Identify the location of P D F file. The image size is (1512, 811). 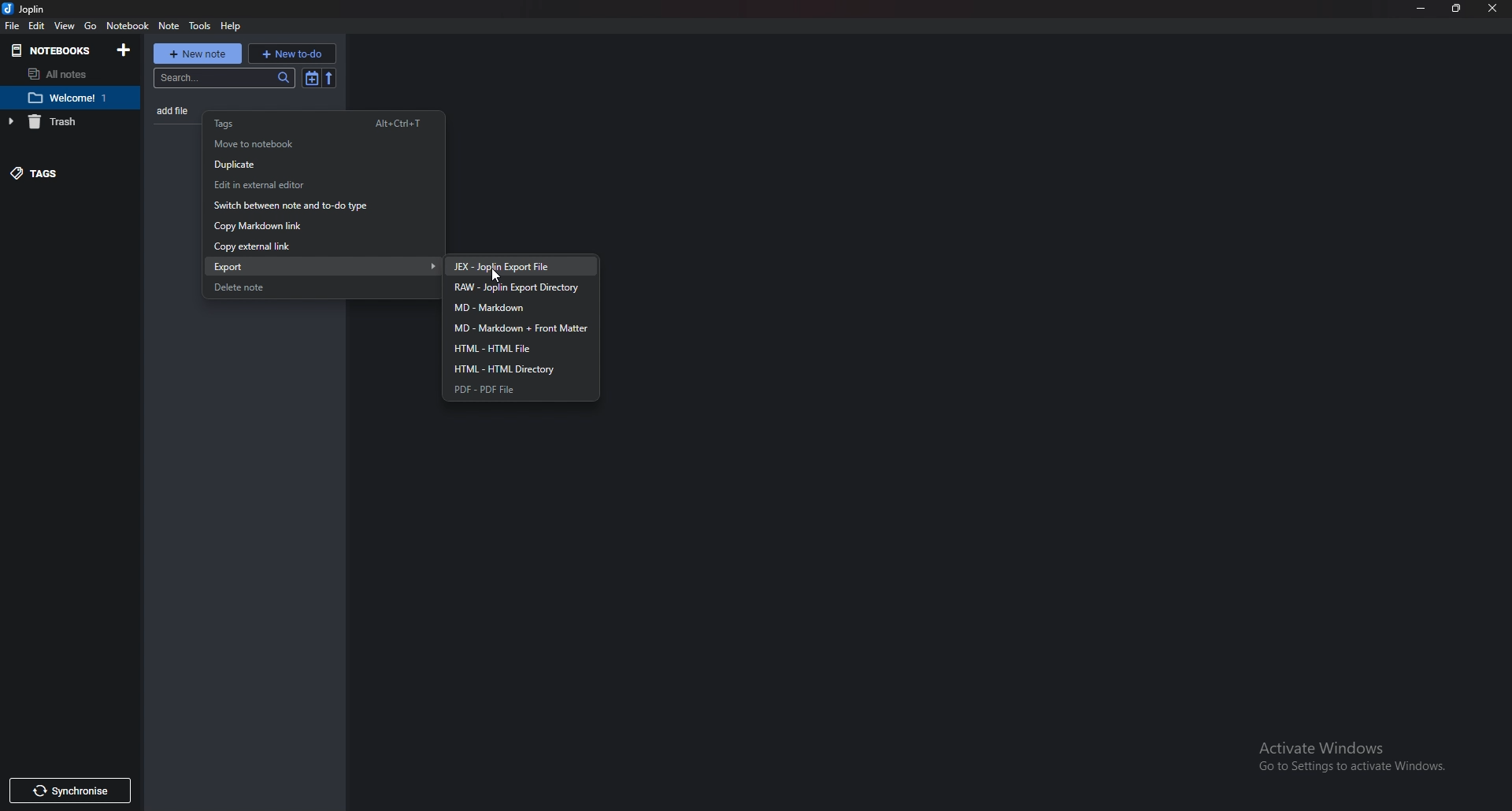
(515, 390).